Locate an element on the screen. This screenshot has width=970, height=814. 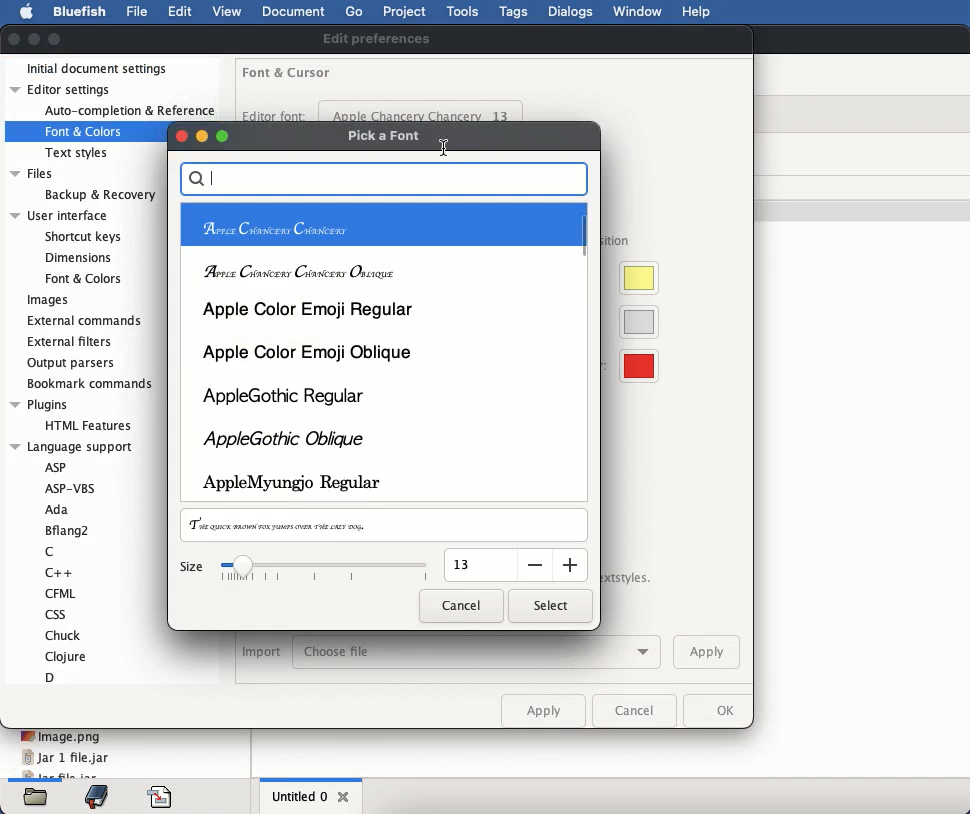
apple color emoji regular is located at coordinates (311, 311).